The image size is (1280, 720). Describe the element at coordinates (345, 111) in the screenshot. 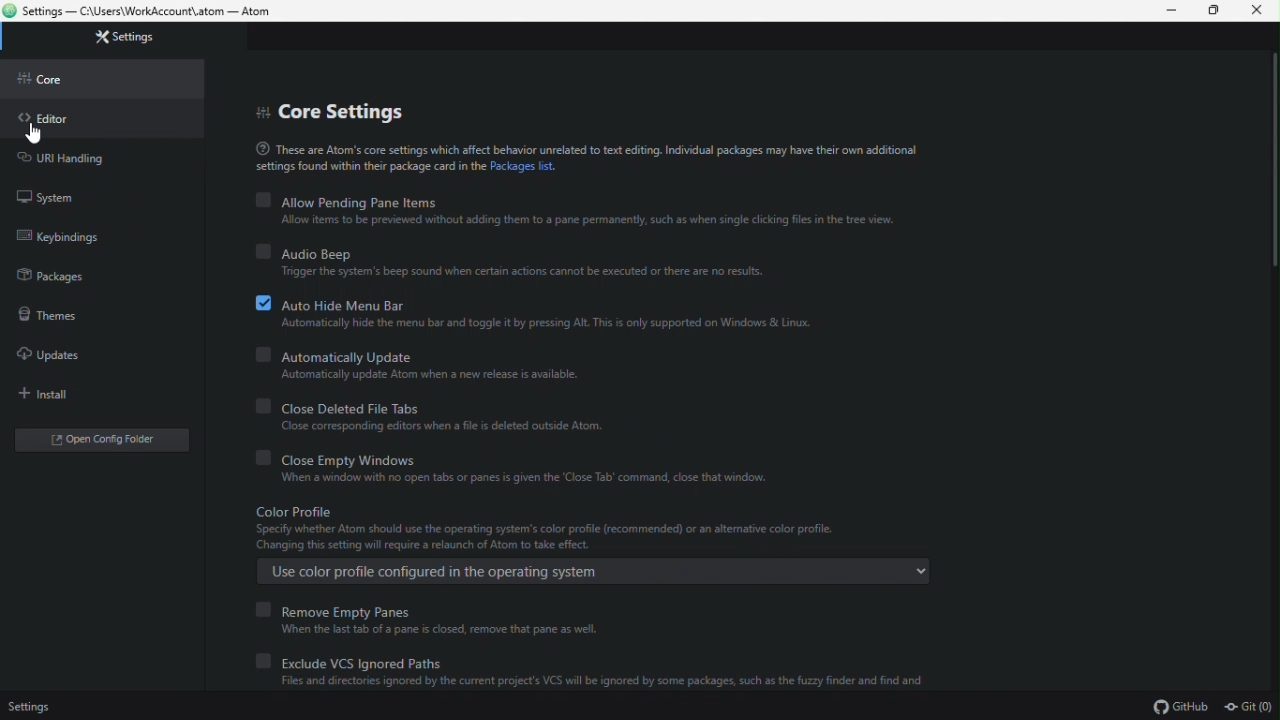

I see `Core settings` at that location.